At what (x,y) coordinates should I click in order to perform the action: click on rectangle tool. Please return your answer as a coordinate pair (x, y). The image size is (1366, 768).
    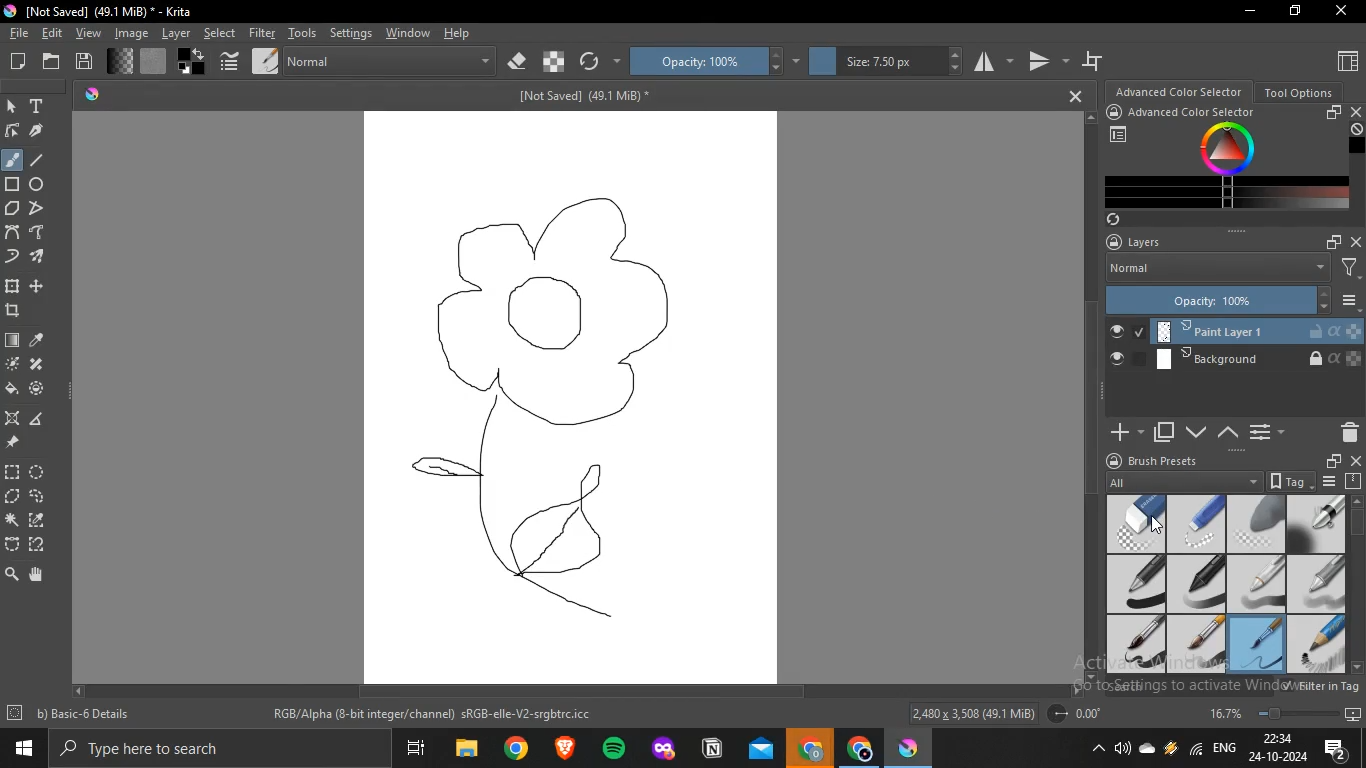
    Looking at the image, I should click on (13, 185).